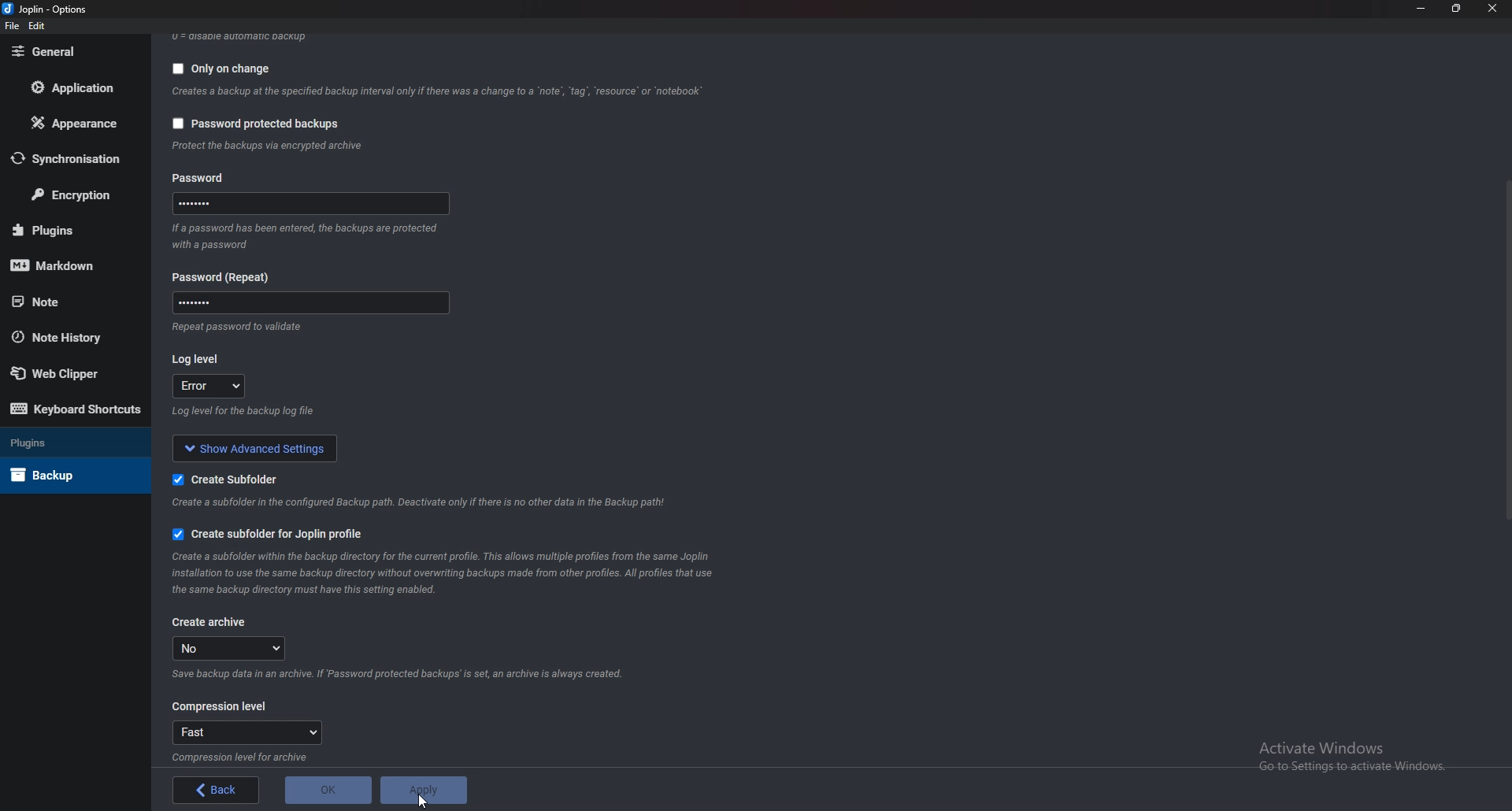  I want to click on note, so click(64, 302).